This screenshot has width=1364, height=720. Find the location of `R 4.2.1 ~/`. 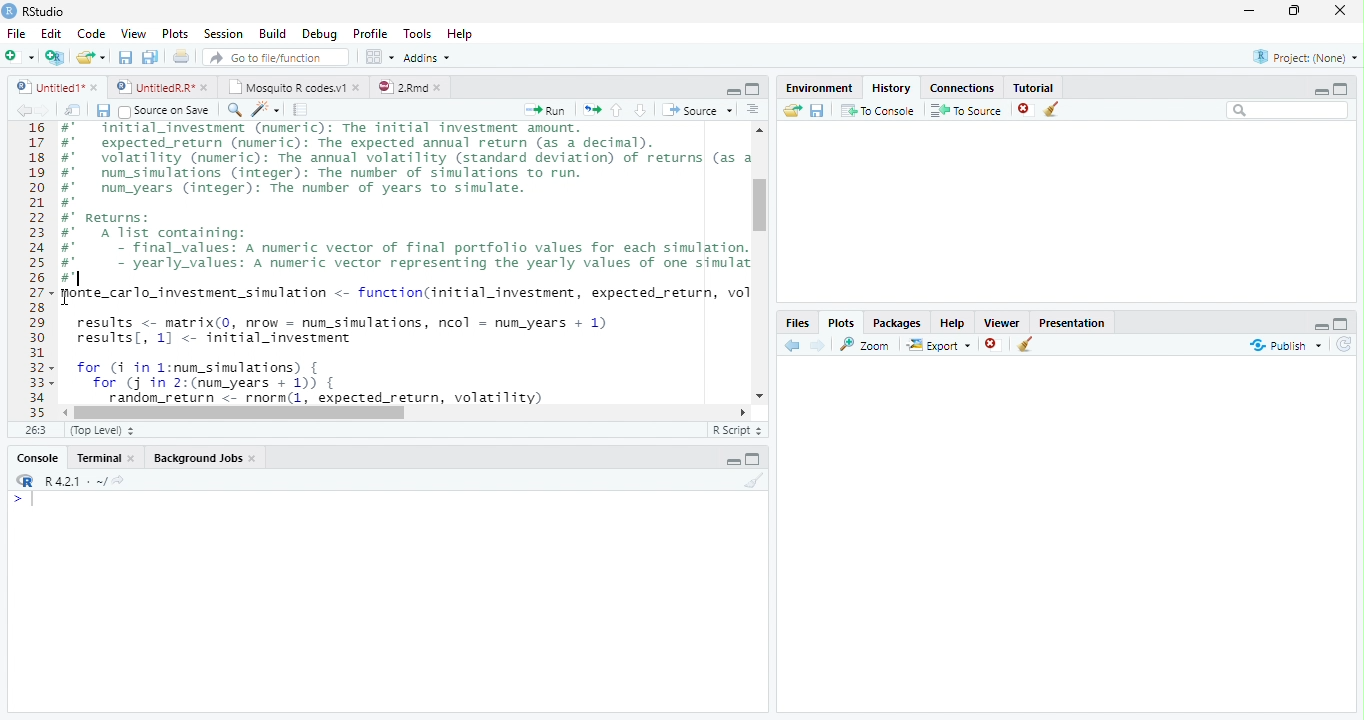

R 4.2.1 ~/ is located at coordinates (67, 479).